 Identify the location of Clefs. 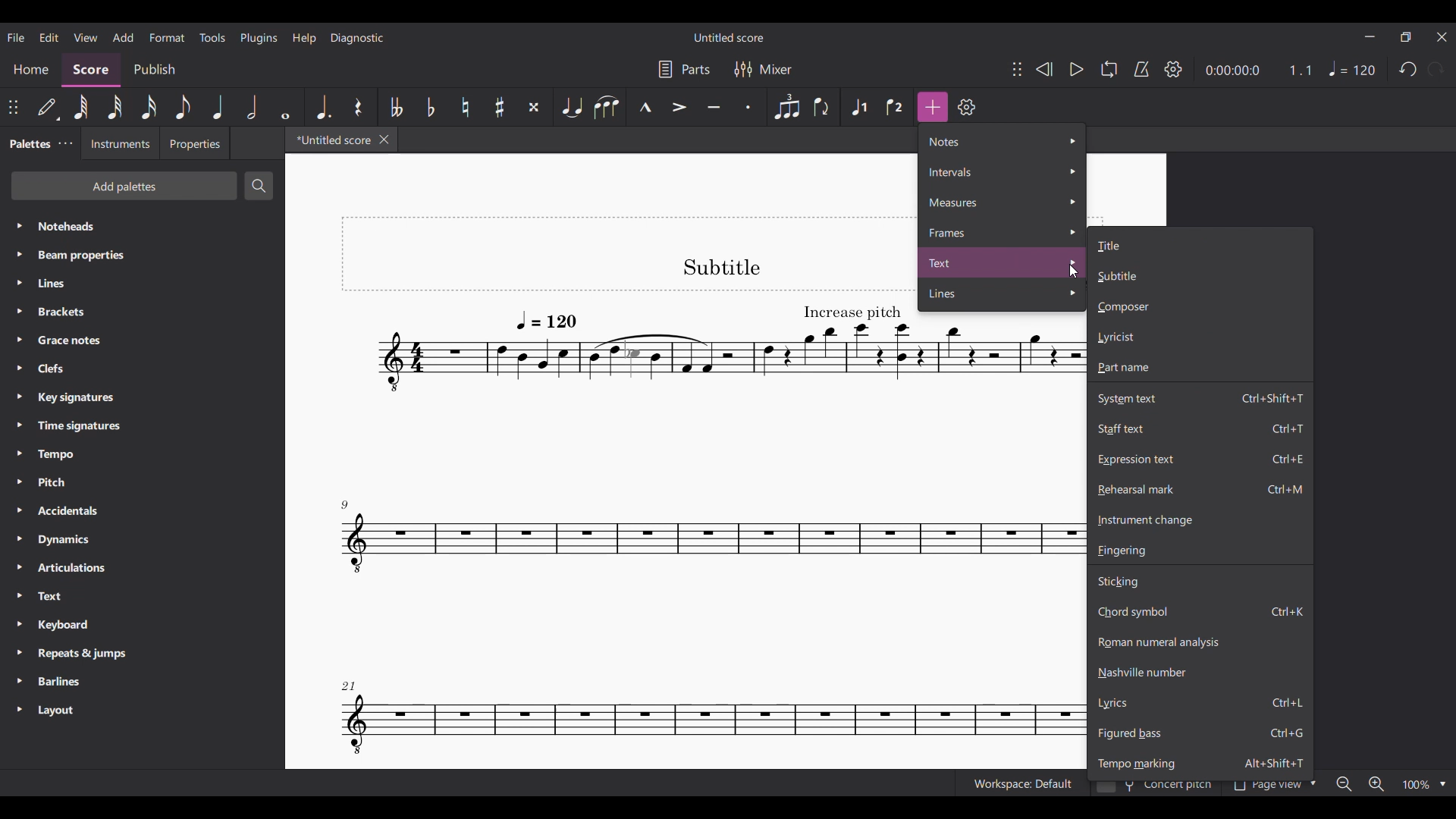
(141, 369).